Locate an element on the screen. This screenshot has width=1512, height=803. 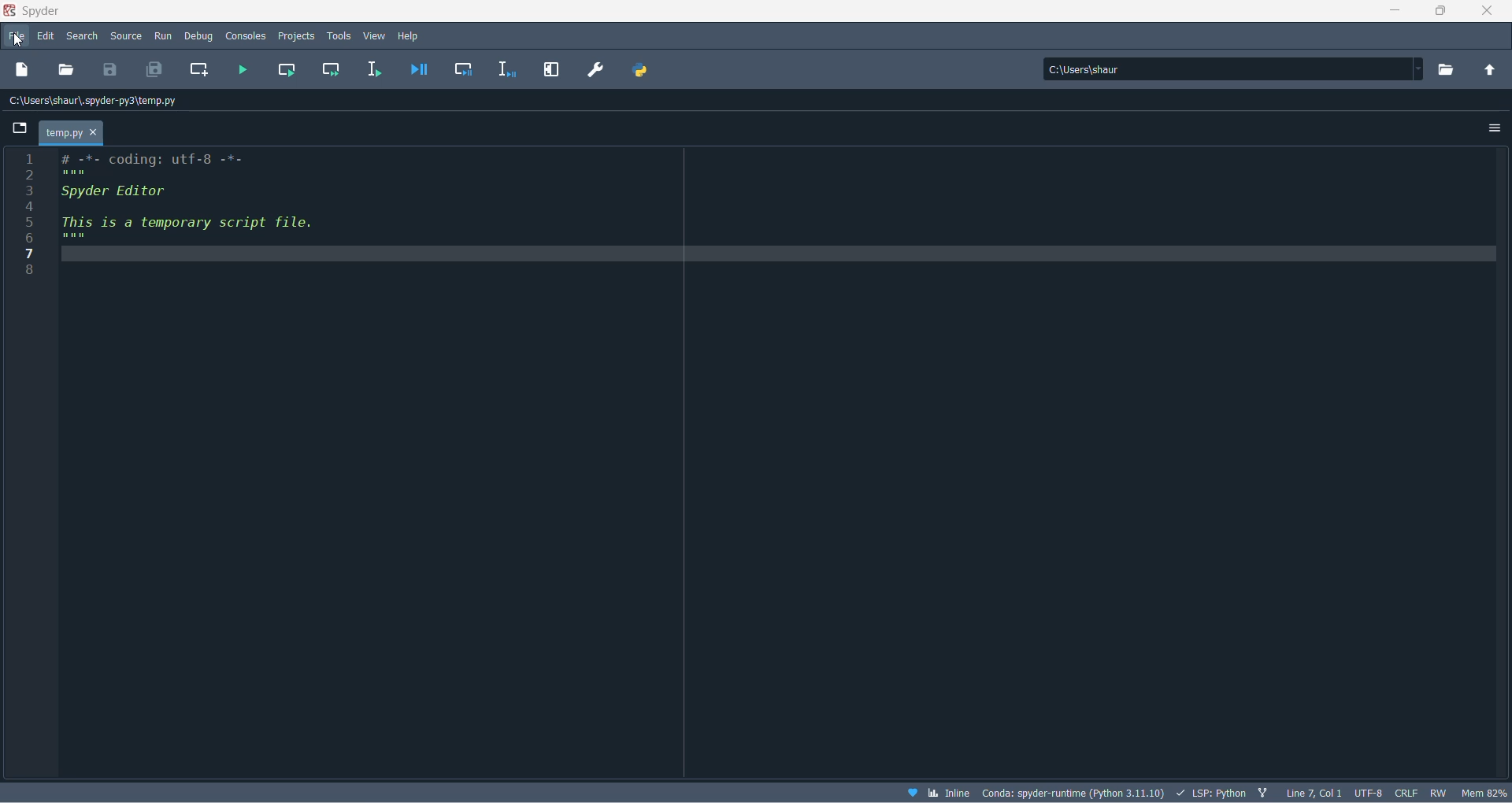
encoding is located at coordinates (1369, 790).